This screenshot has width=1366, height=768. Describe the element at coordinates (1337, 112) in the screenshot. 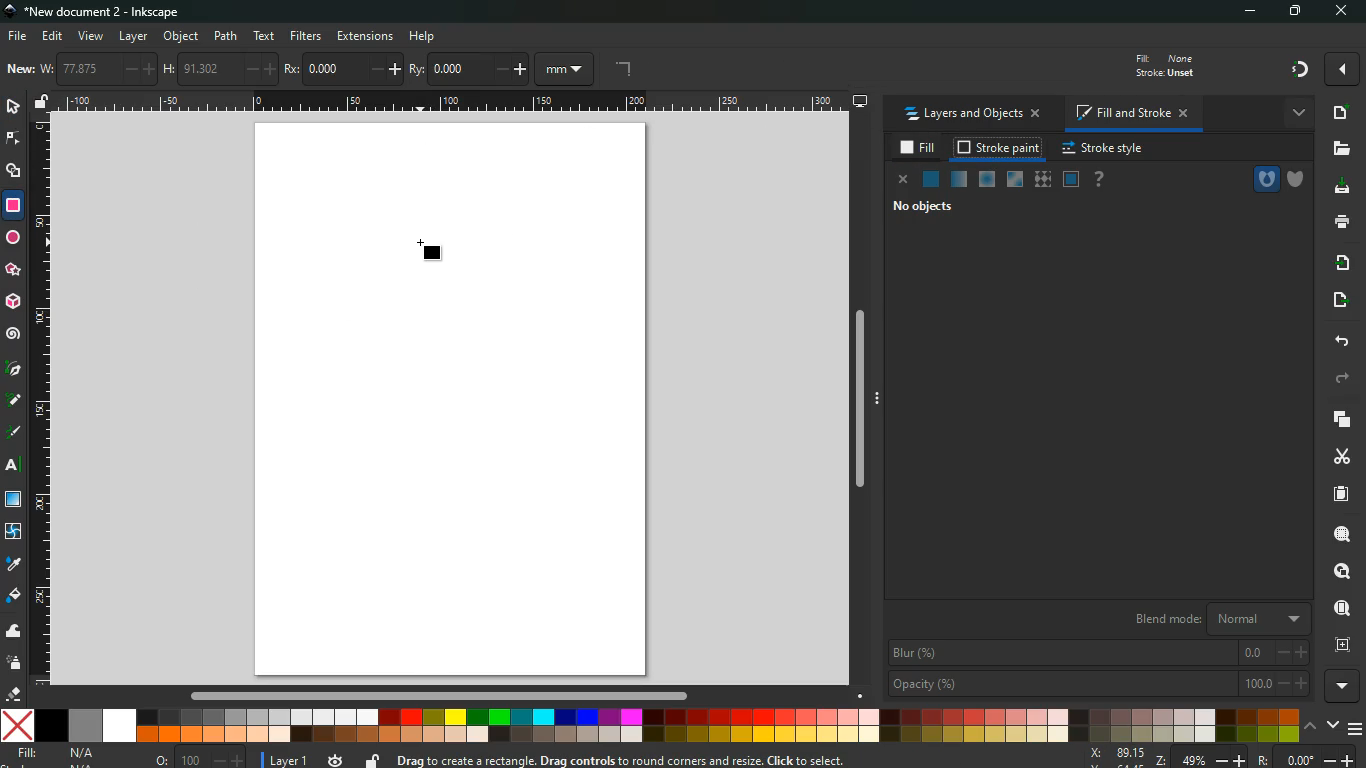

I see `new` at that location.